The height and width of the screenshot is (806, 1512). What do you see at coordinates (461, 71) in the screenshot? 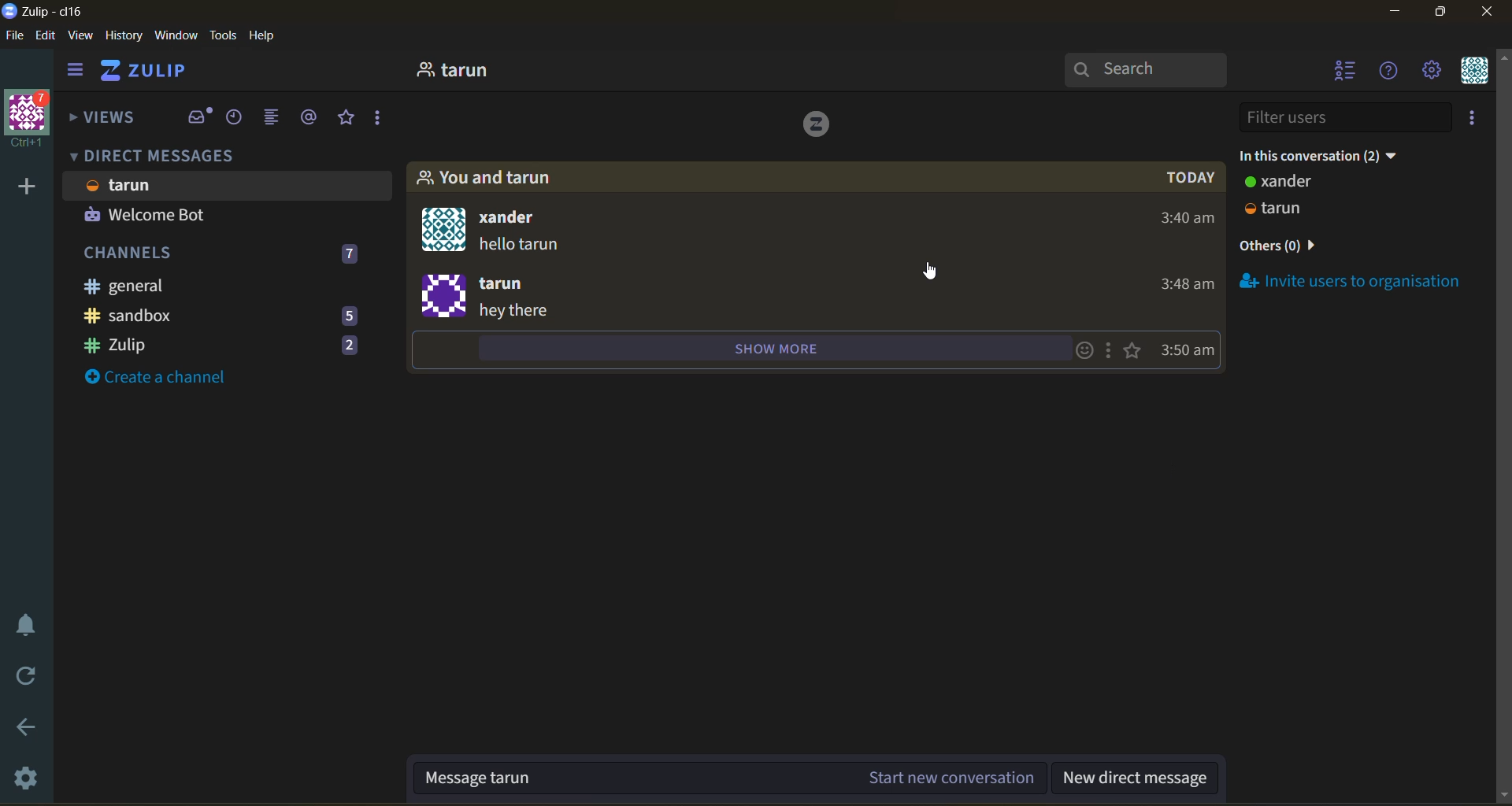
I see `user` at bounding box center [461, 71].